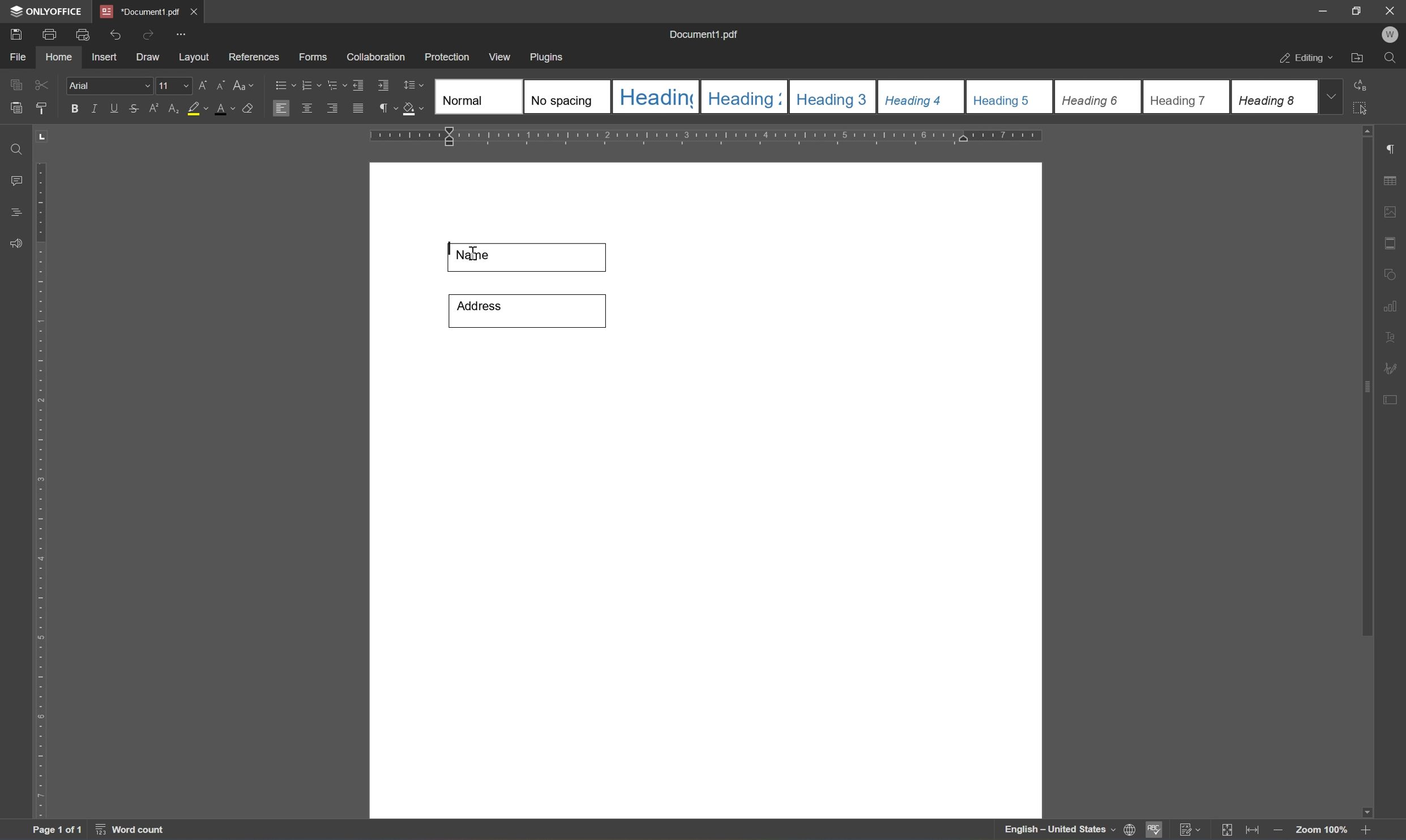 Image resolution: width=1406 pixels, height=840 pixels. What do you see at coordinates (1367, 112) in the screenshot?
I see `select all` at bounding box center [1367, 112].